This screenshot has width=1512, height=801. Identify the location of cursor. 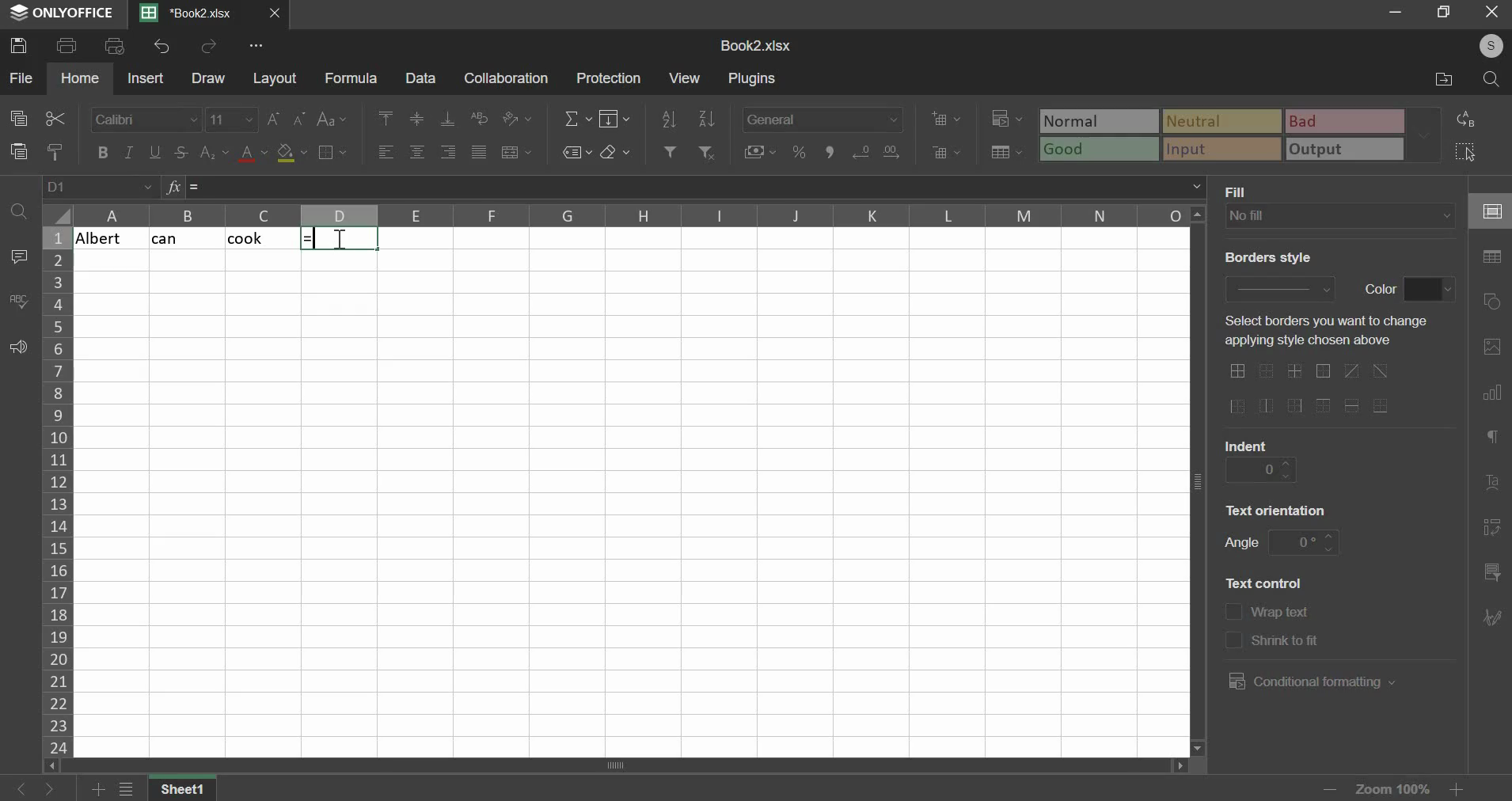
(335, 241).